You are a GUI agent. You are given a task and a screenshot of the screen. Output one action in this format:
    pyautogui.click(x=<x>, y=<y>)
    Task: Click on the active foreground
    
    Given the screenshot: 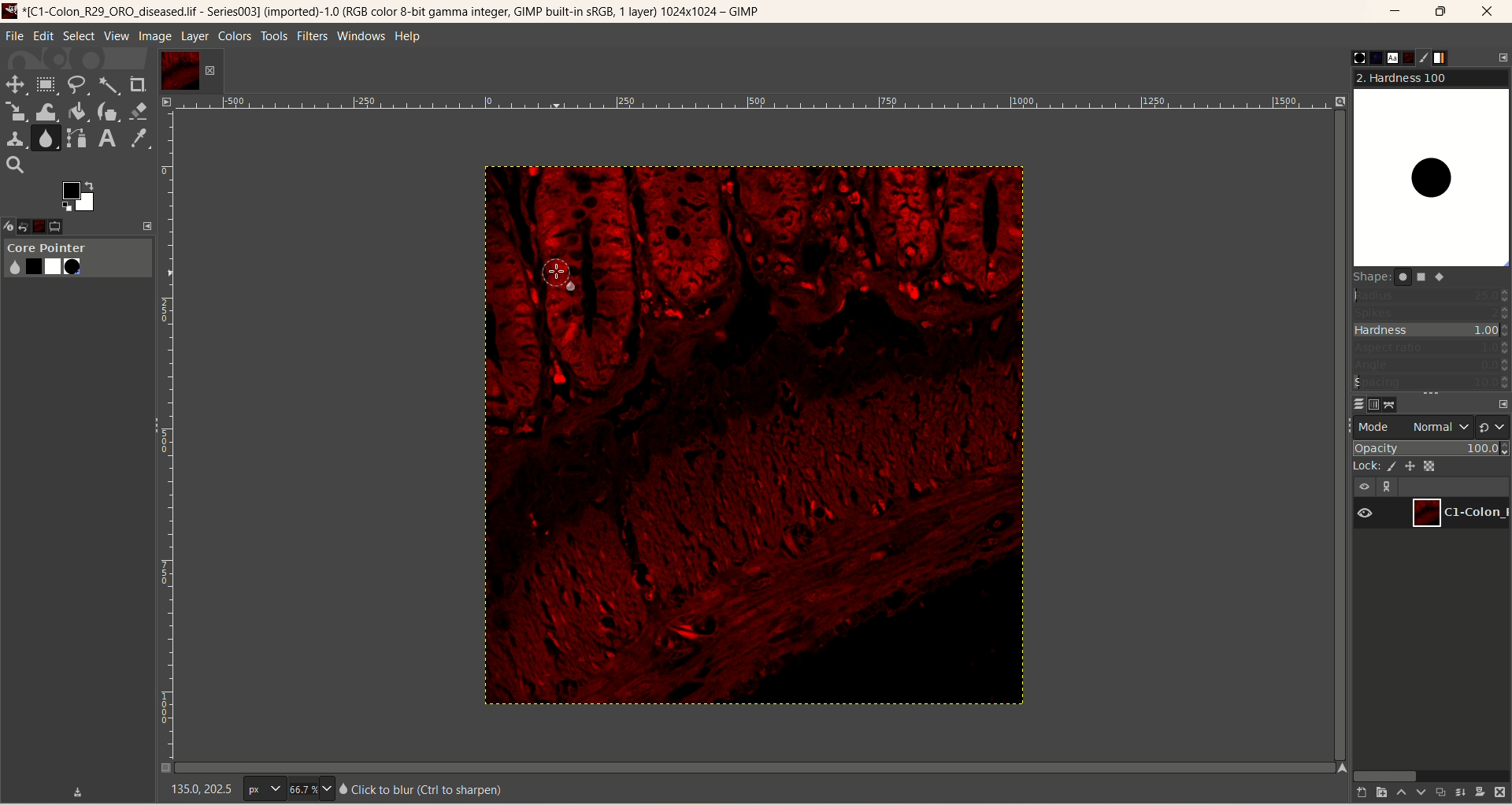 What is the action you would take?
    pyautogui.click(x=80, y=195)
    